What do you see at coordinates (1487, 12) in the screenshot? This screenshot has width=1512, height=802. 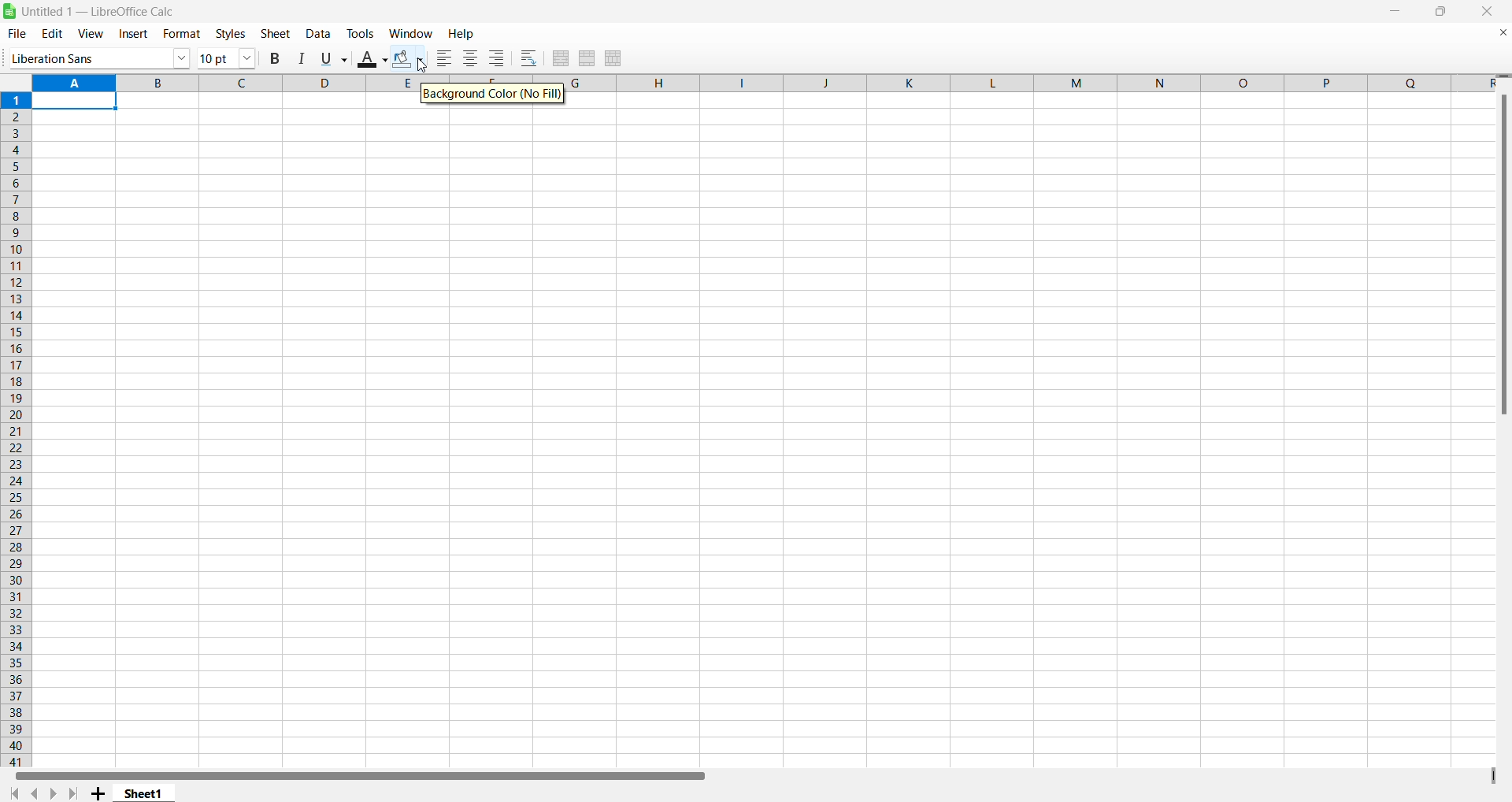 I see `close ` at bounding box center [1487, 12].